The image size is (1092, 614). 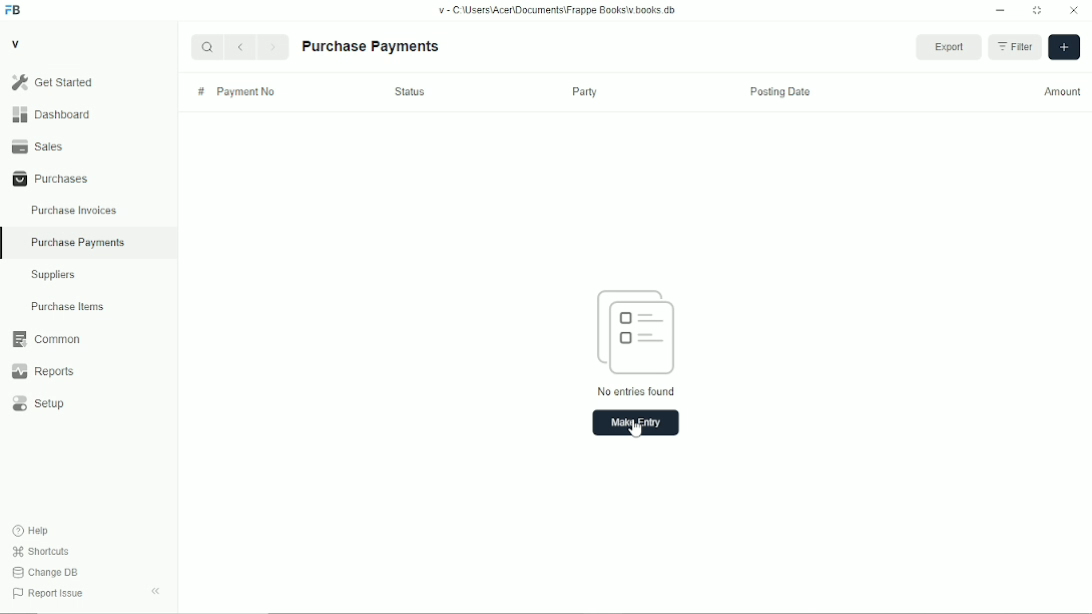 I want to click on Amount, so click(x=1063, y=92).